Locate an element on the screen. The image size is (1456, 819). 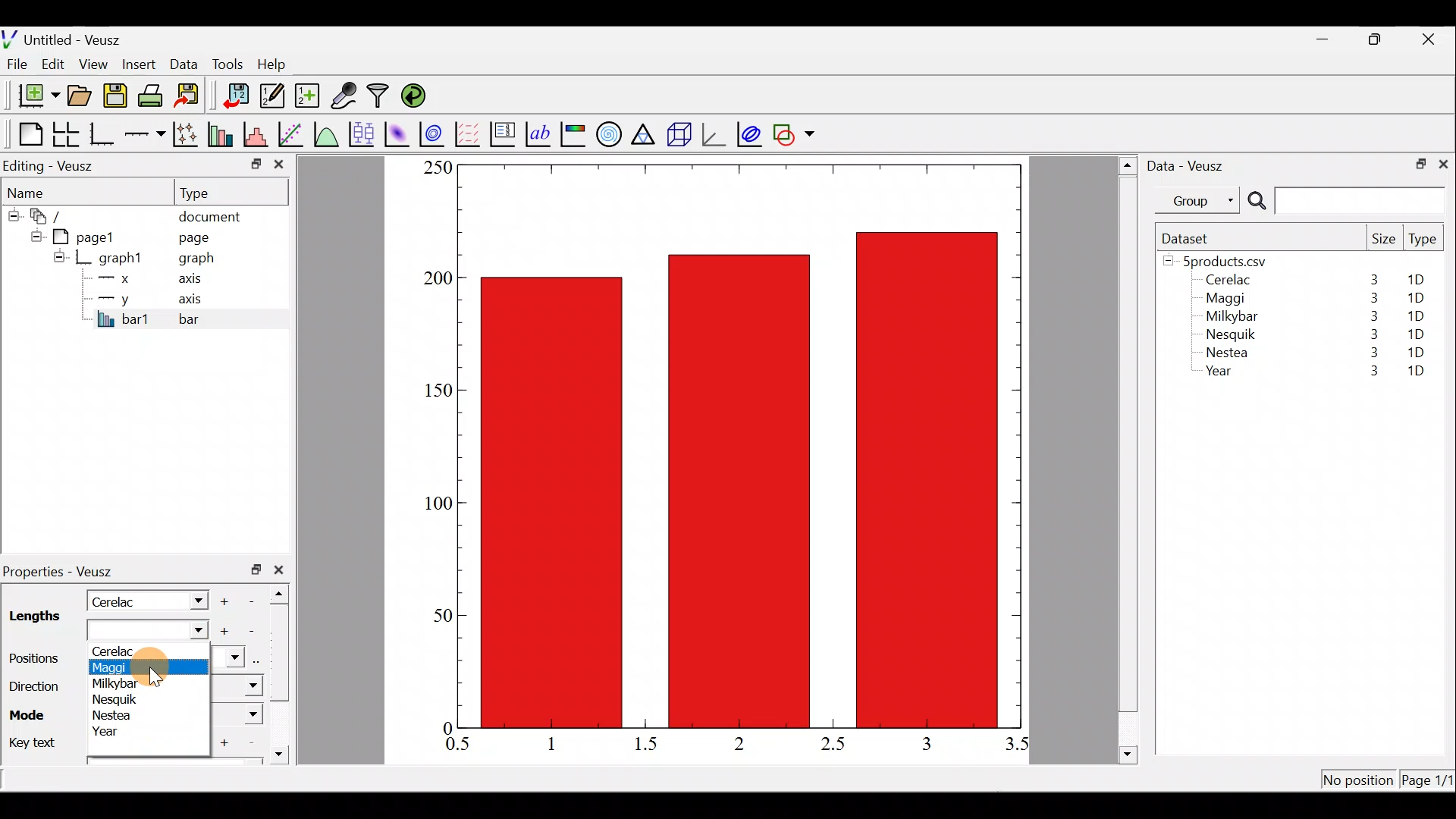
3d scene is located at coordinates (678, 134).